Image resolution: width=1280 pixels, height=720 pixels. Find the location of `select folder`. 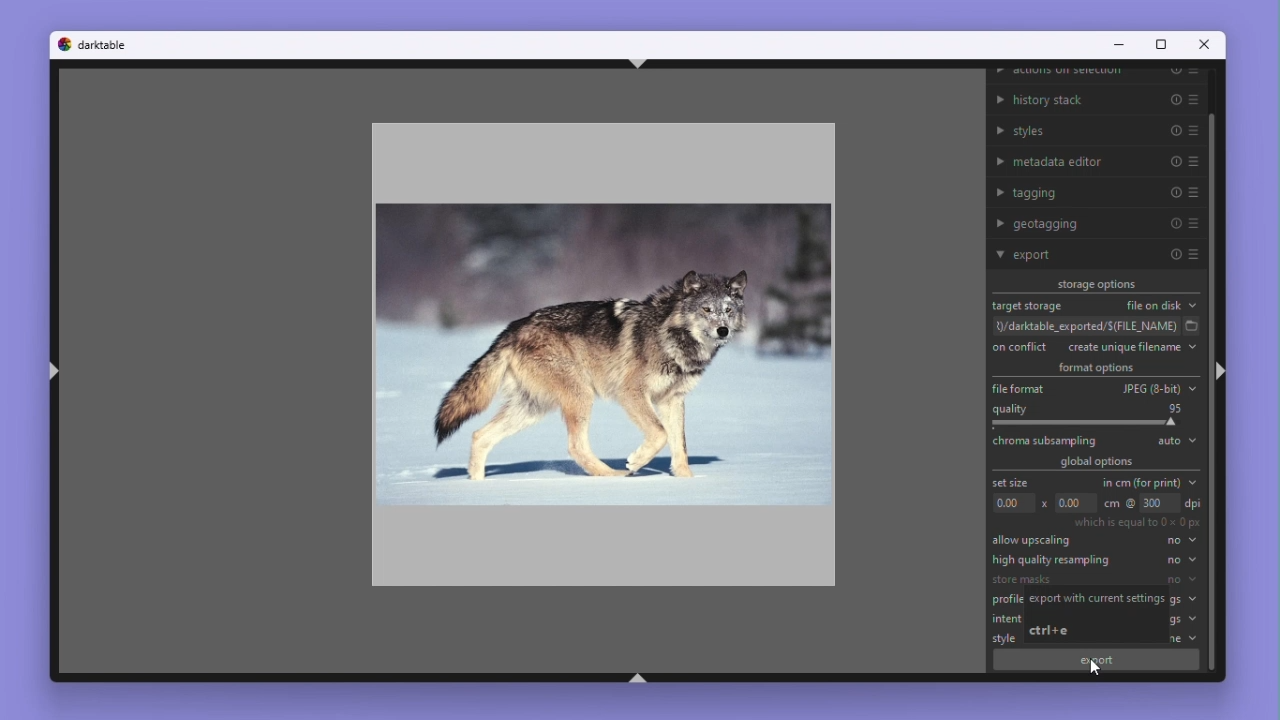

select folder is located at coordinates (1192, 326).